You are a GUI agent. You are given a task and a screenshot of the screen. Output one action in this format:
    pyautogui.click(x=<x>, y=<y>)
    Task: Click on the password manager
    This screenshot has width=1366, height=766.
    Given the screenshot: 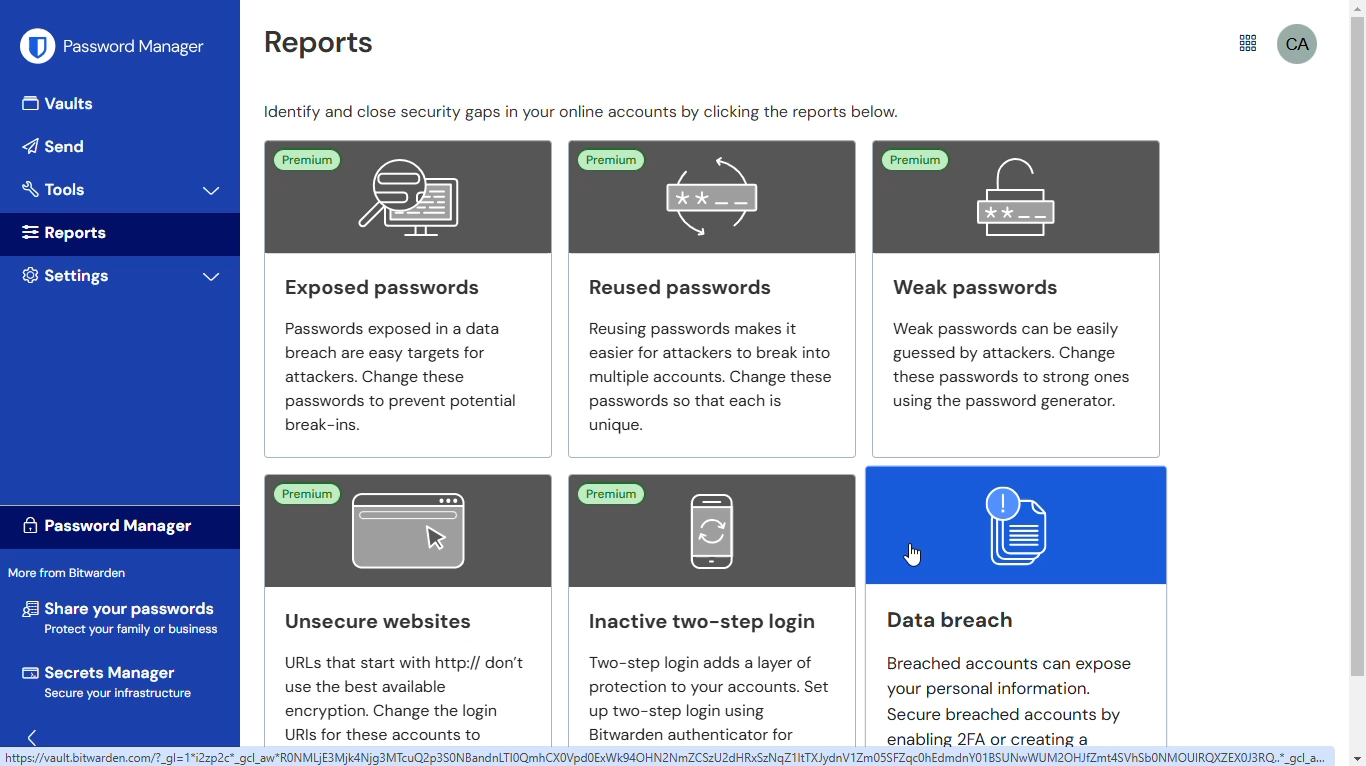 What is the action you would take?
    pyautogui.click(x=135, y=46)
    